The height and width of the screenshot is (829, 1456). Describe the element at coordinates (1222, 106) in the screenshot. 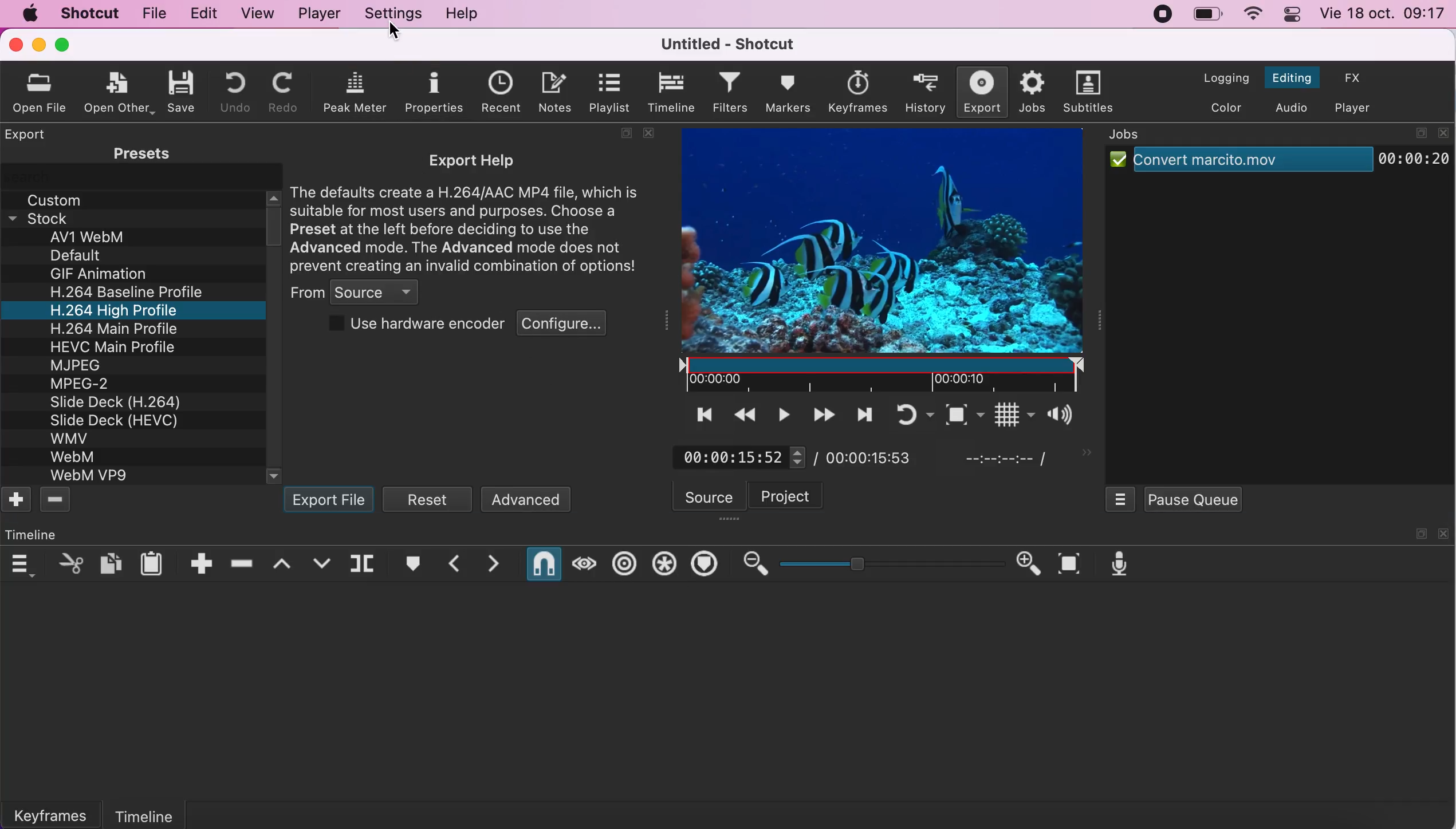

I see `switch to the color layout` at that location.